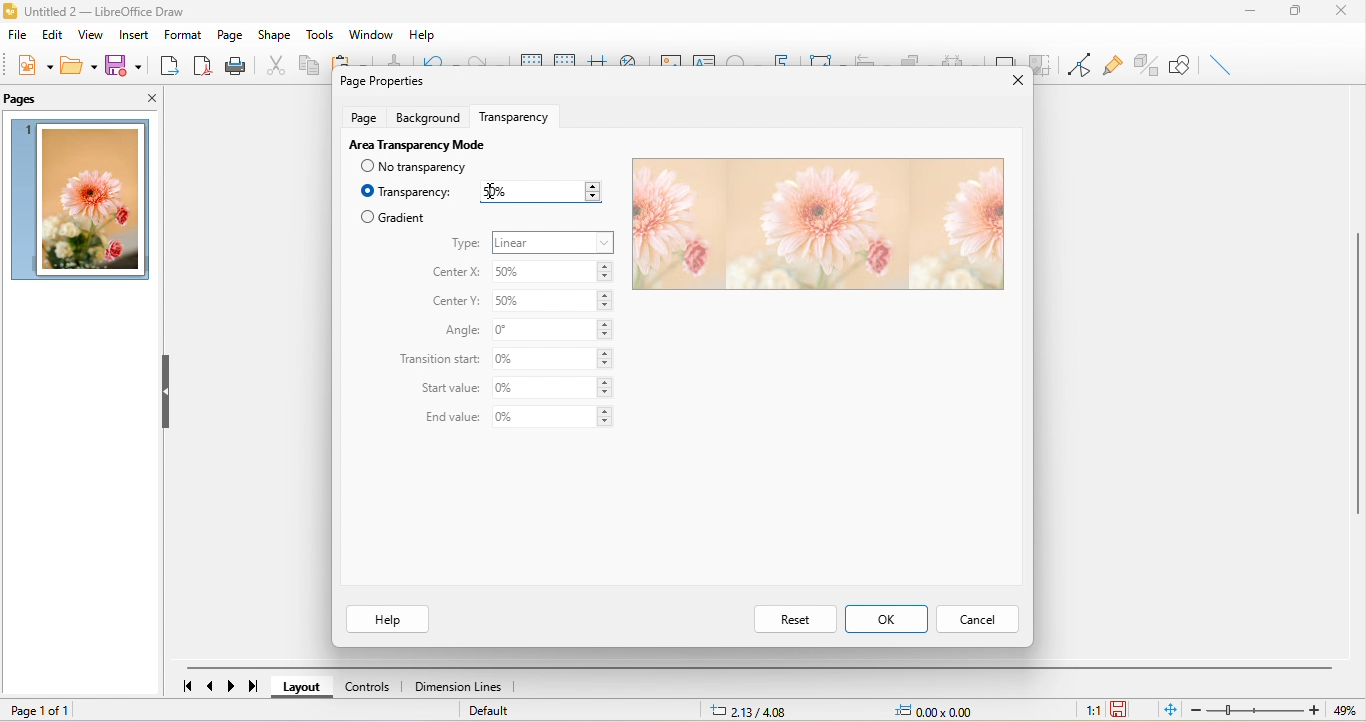 This screenshot has height=722, width=1366. What do you see at coordinates (1258, 13) in the screenshot?
I see `minimize` at bounding box center [1258, 13].